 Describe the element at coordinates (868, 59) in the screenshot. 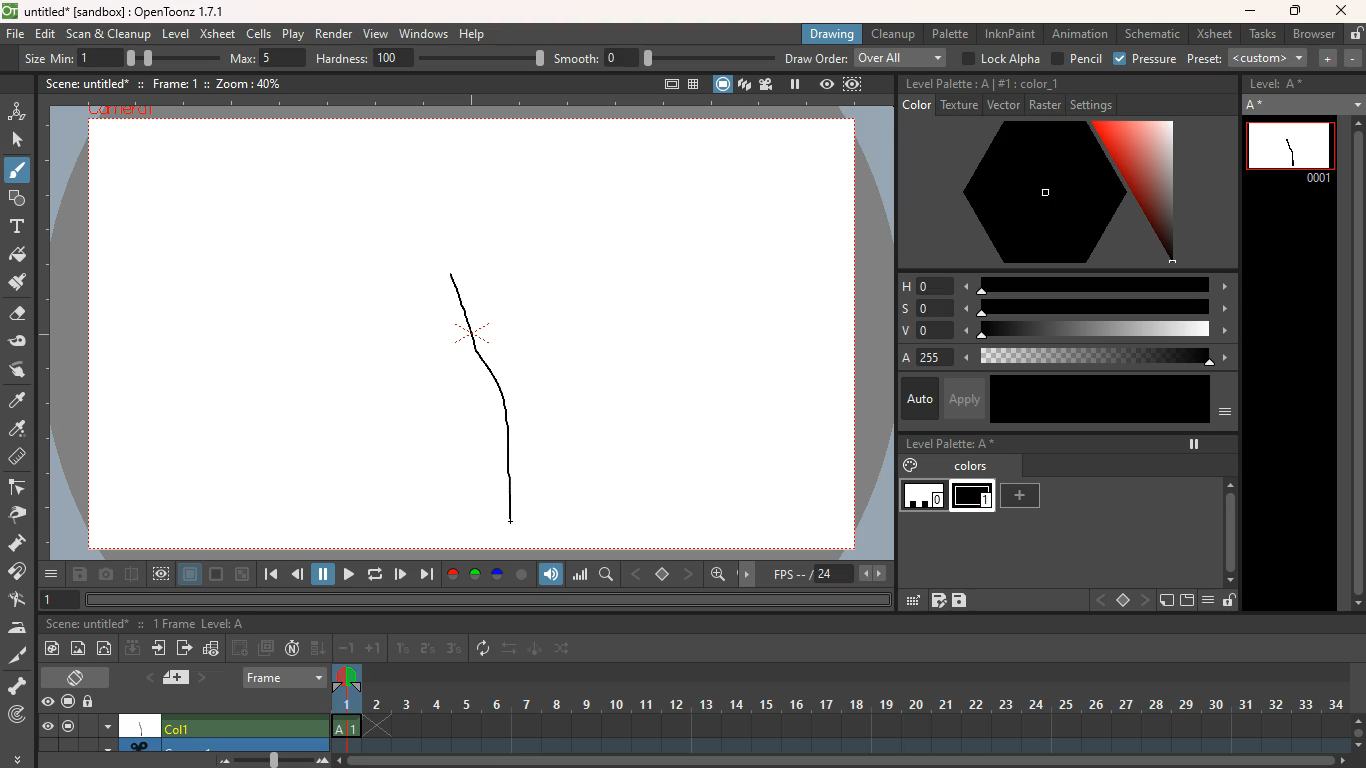

I see `draw order: over all` at that location.